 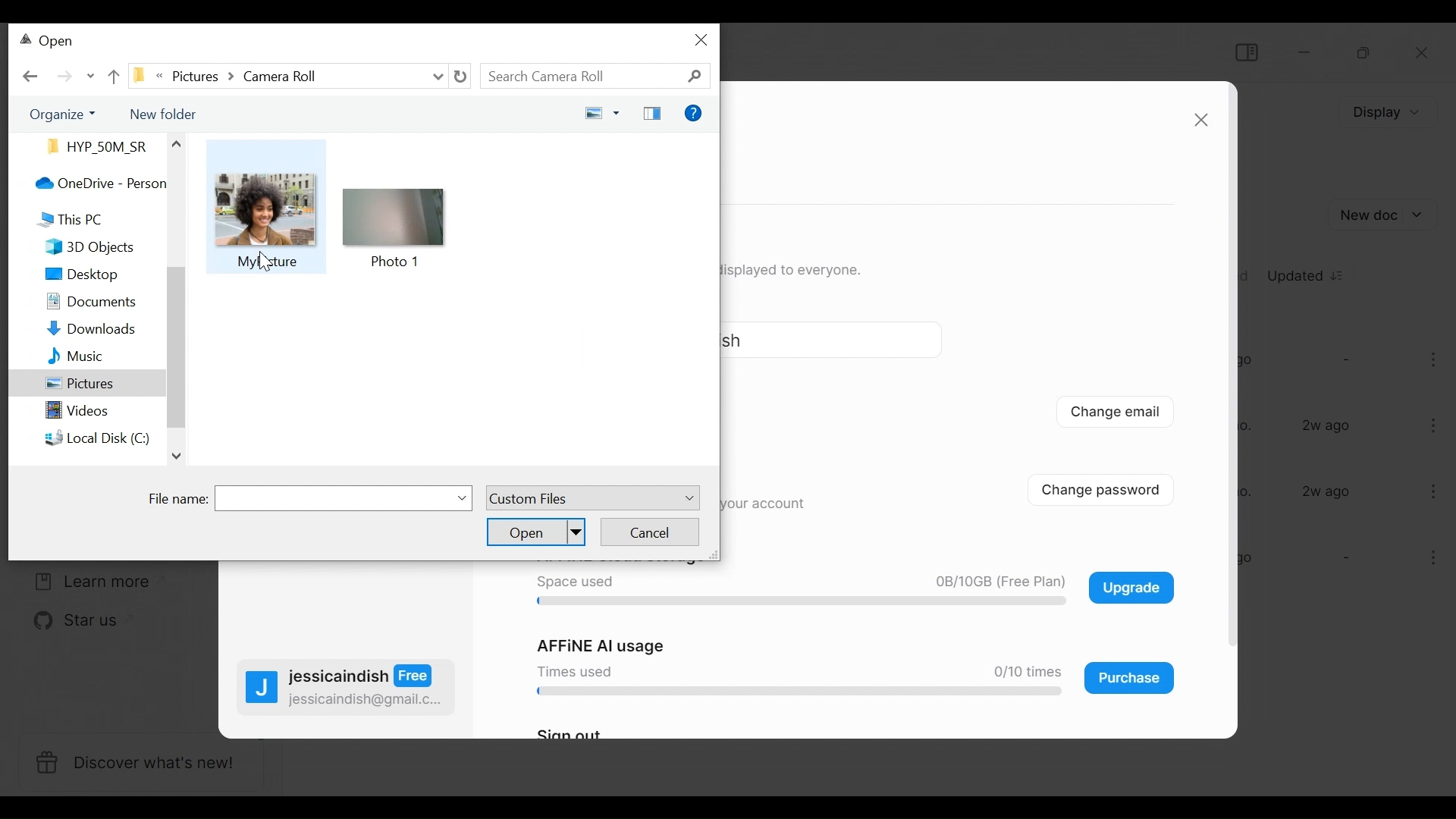 I want to click on Click to go Forward, so click(x=64, y=77).